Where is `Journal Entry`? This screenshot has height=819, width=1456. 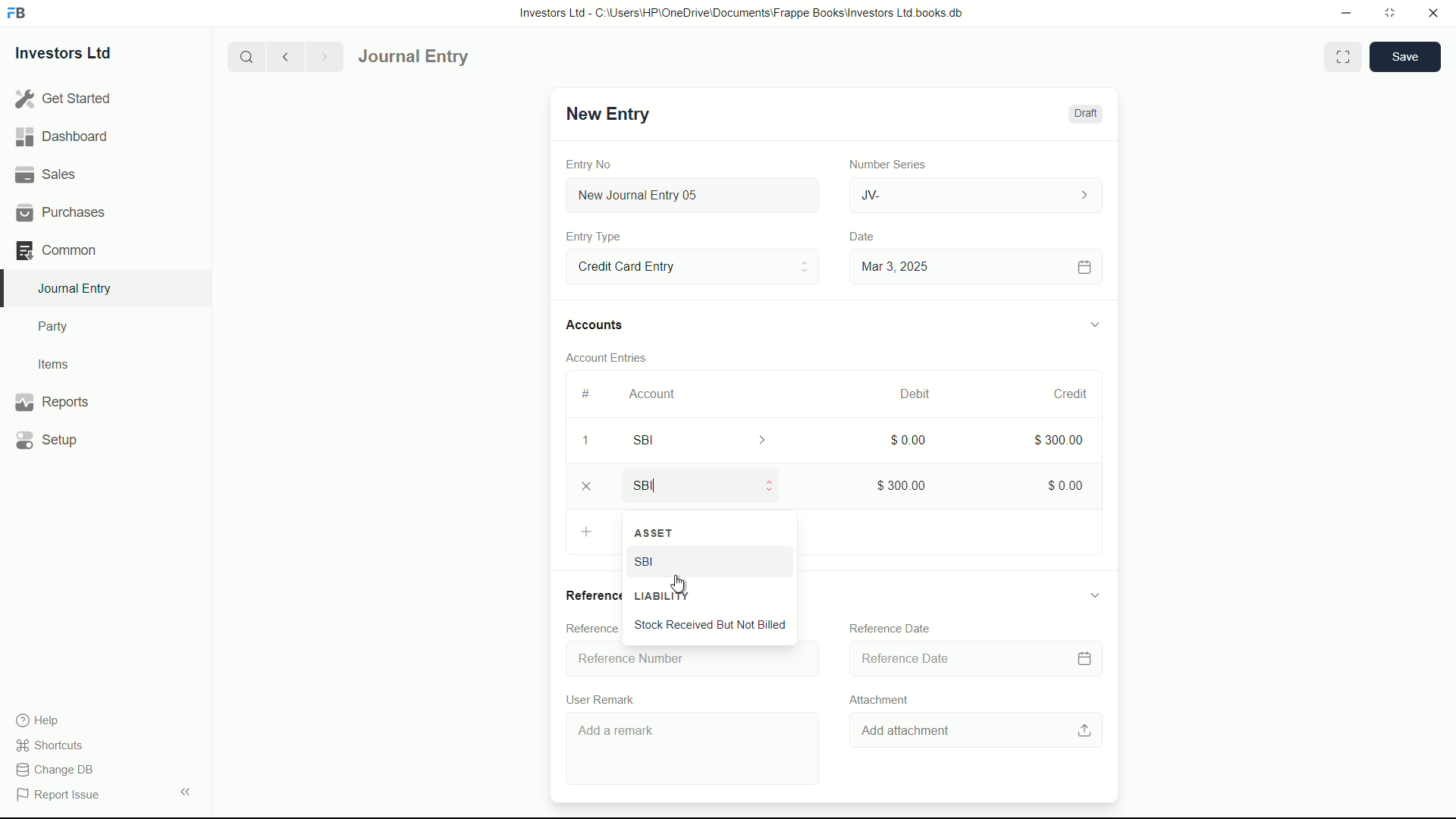
Journal Entry is located at coordinates (457, 57).